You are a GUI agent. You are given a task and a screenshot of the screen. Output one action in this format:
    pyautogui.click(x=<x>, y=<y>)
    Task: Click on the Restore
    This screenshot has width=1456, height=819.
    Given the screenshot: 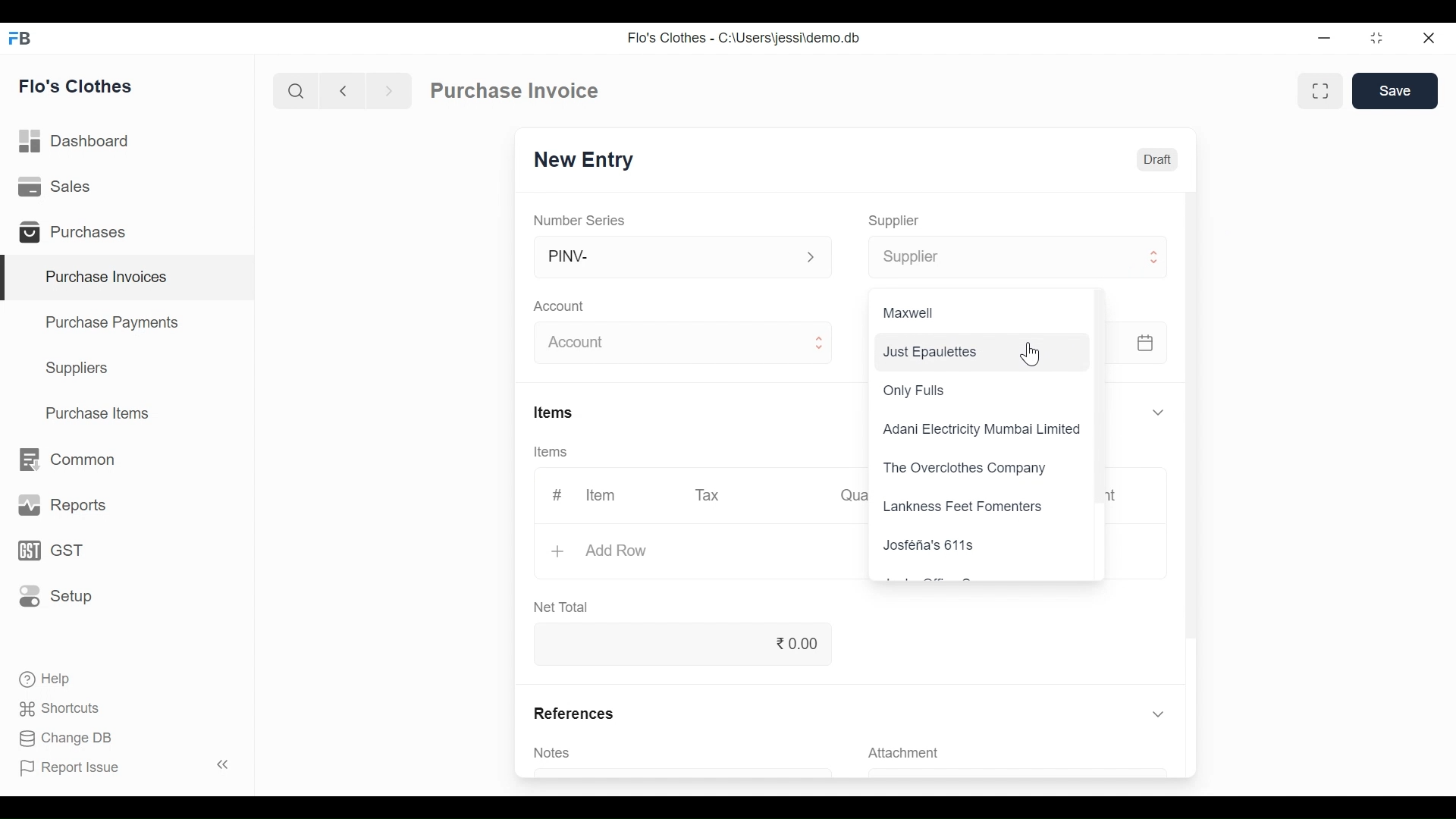 What is the action you would take?
    pyautogui.click(x=1376, y=39)
    